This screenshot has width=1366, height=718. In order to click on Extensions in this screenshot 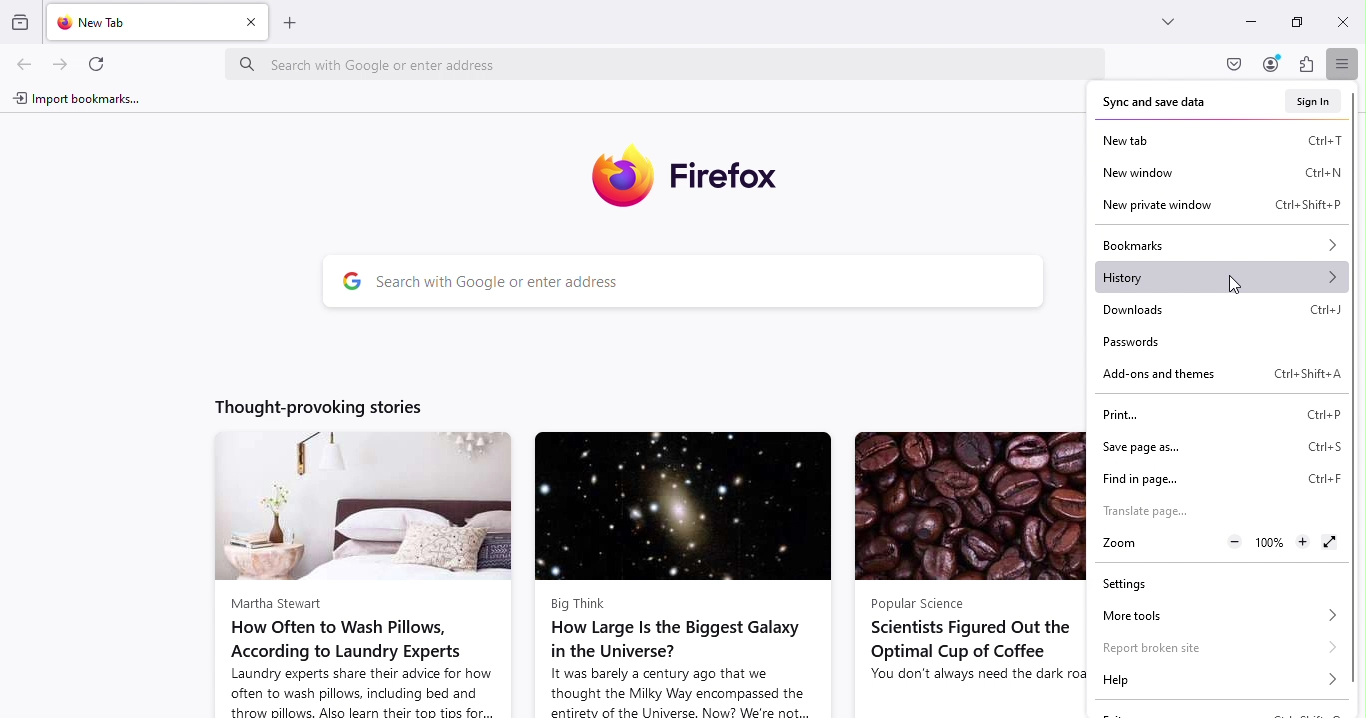, I will do `click(1306, 67)`.